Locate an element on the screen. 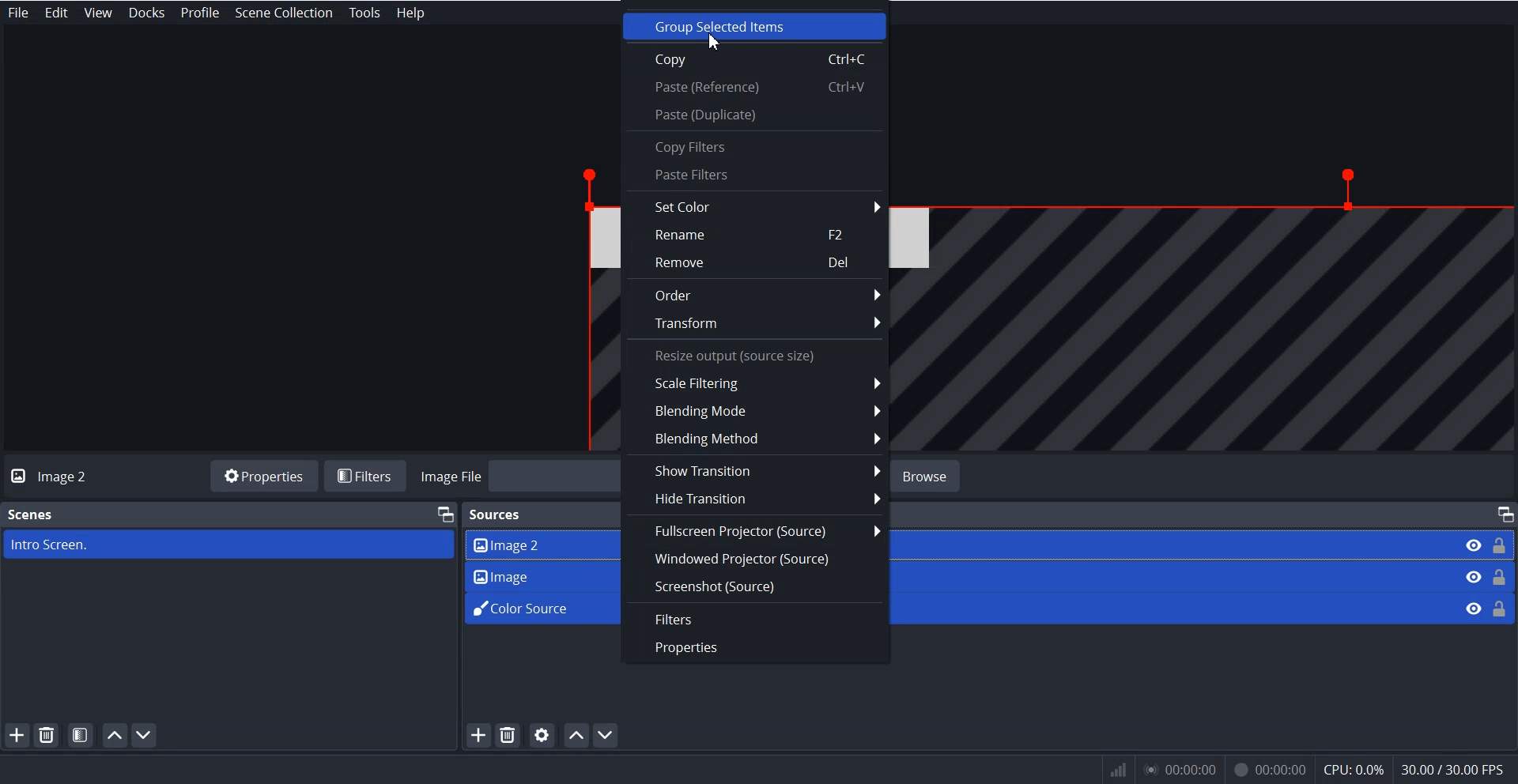 The image size is (1518, 784). Group Selected Item is located at coordinates (755, 26).